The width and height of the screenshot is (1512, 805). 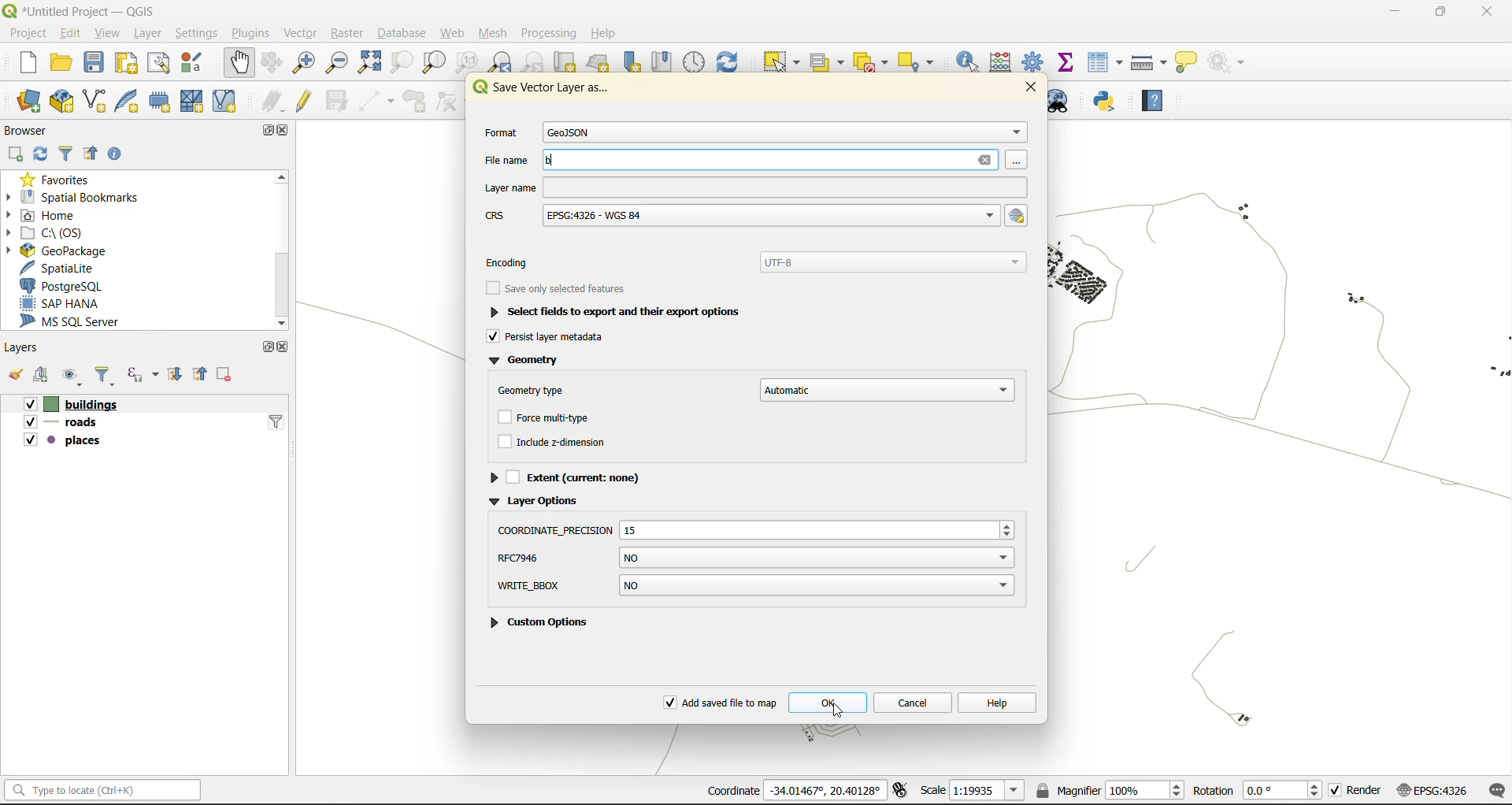 What do you see at coordinates (972, 62) in the screenshot?
I see `identify features` at bounding box center [972, 62].